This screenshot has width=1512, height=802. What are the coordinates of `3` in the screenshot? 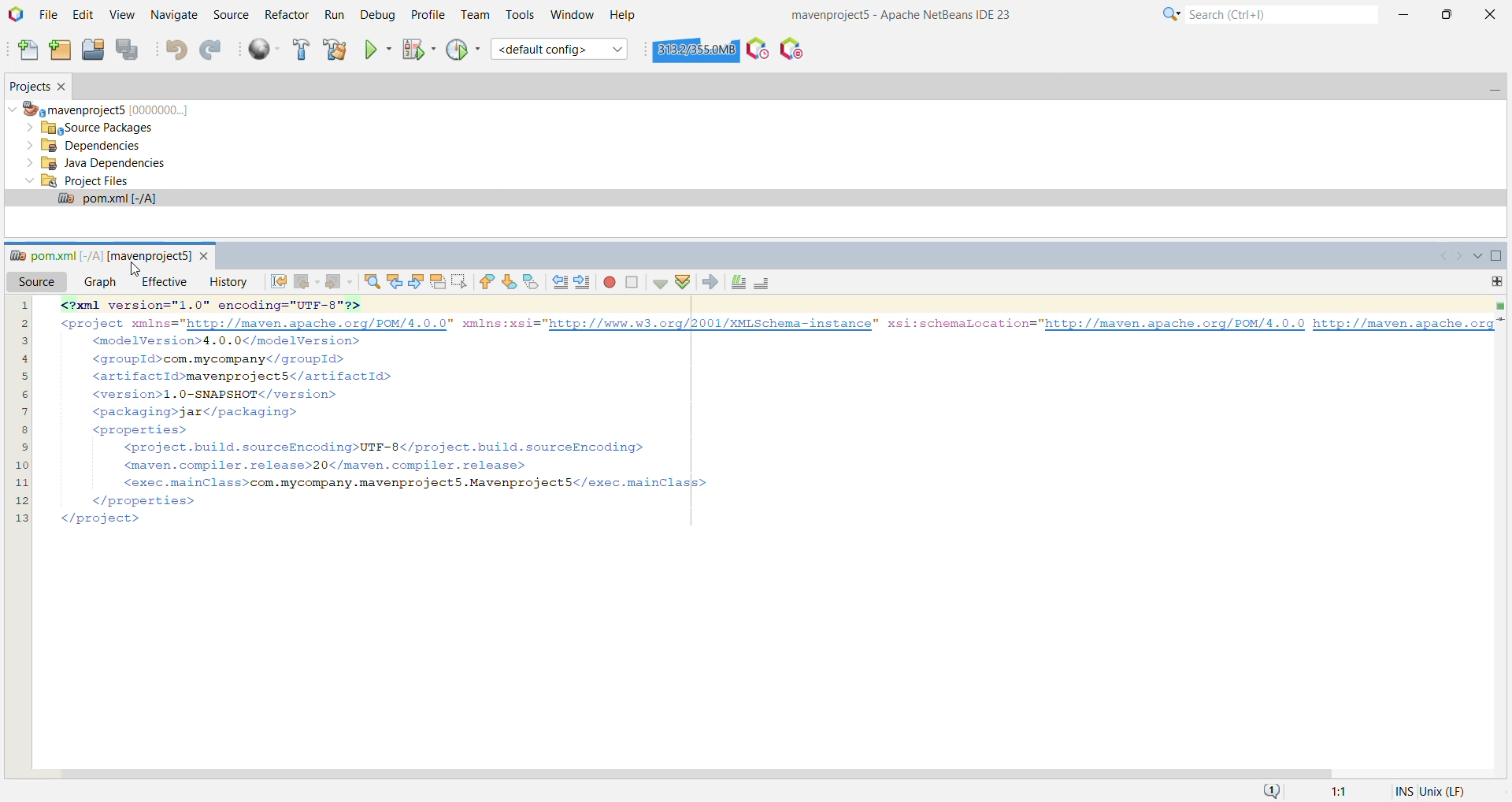 It's located at (21, 339).